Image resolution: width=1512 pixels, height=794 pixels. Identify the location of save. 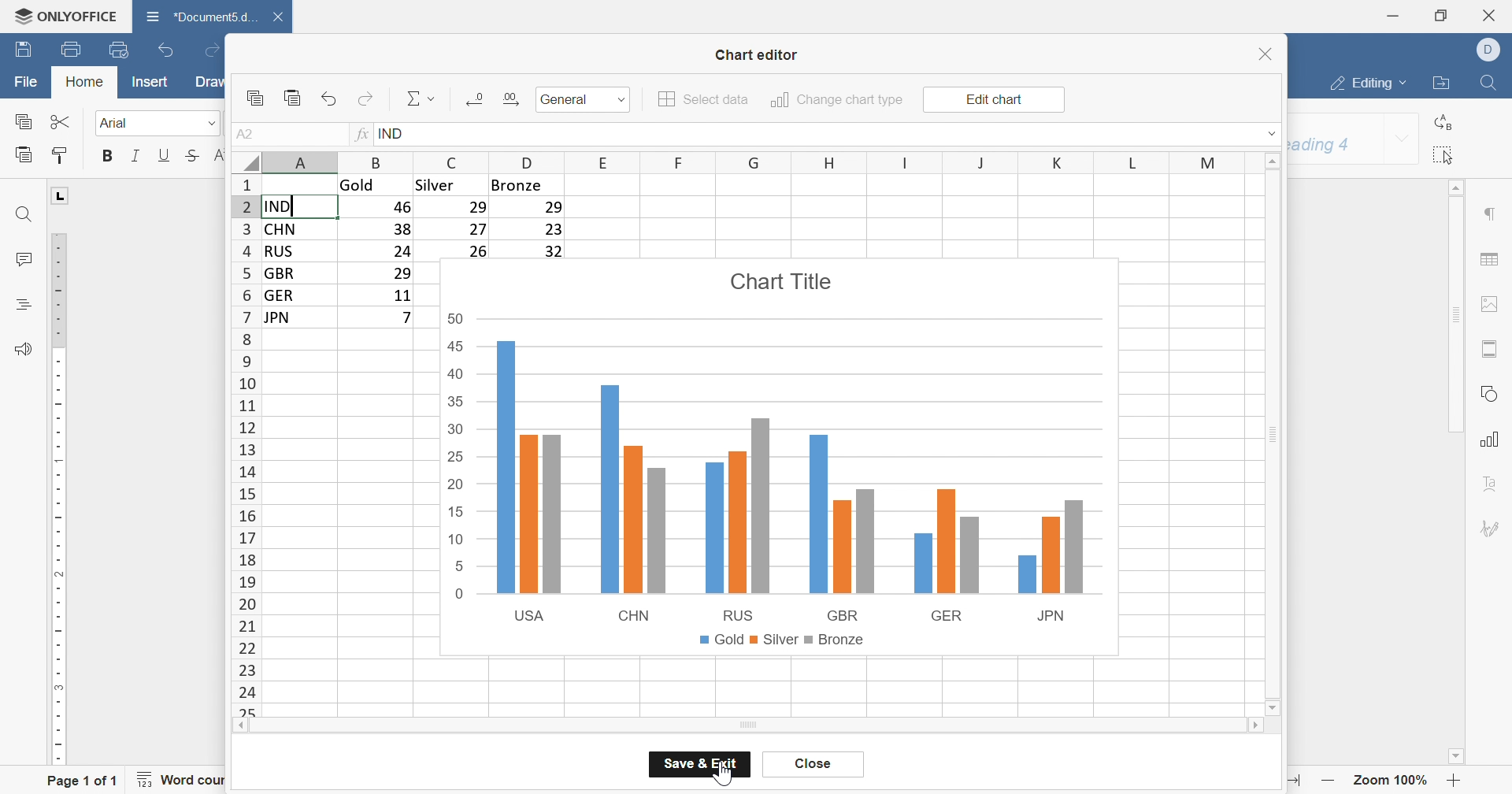
(24, 50).